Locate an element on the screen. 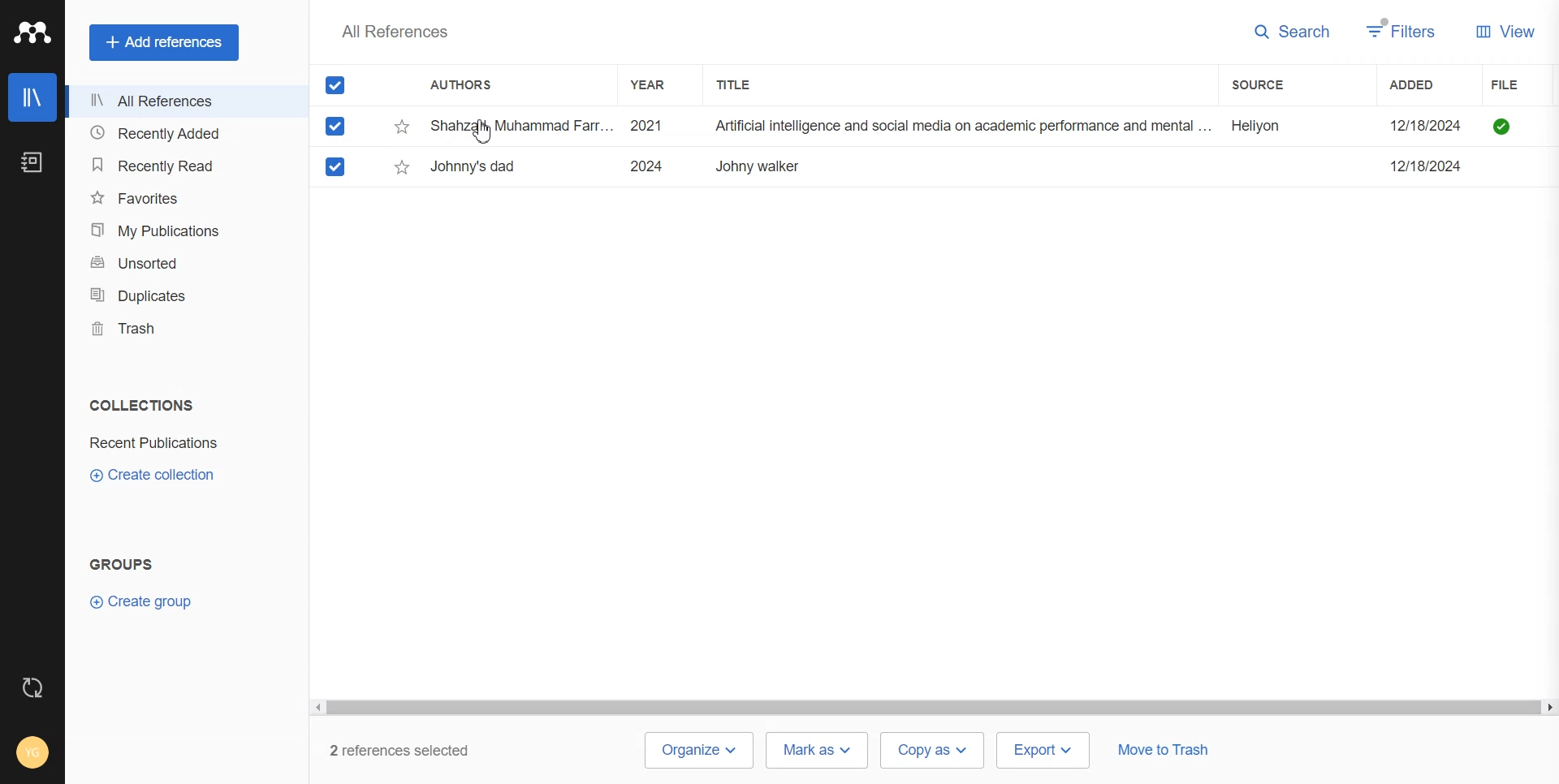  Recently Read is located at coordinates (182, 166).